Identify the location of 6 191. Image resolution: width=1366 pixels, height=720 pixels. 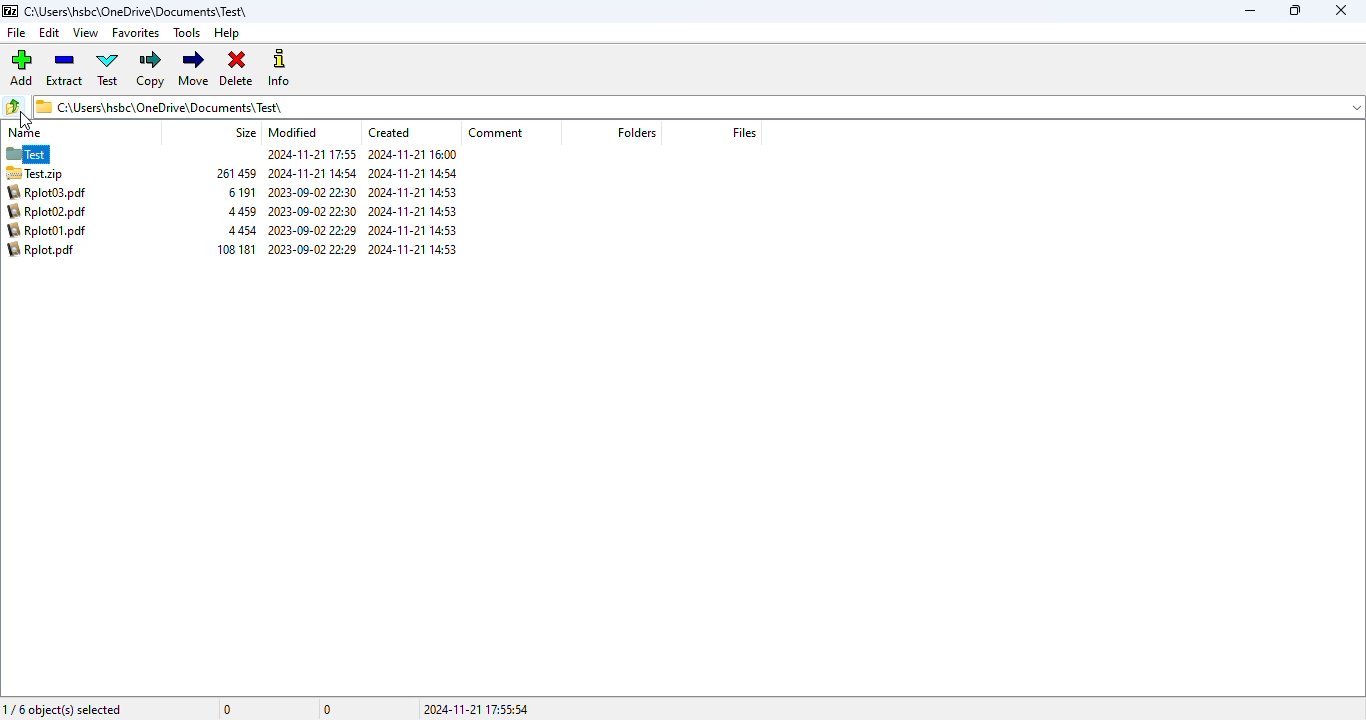
(241, 192).